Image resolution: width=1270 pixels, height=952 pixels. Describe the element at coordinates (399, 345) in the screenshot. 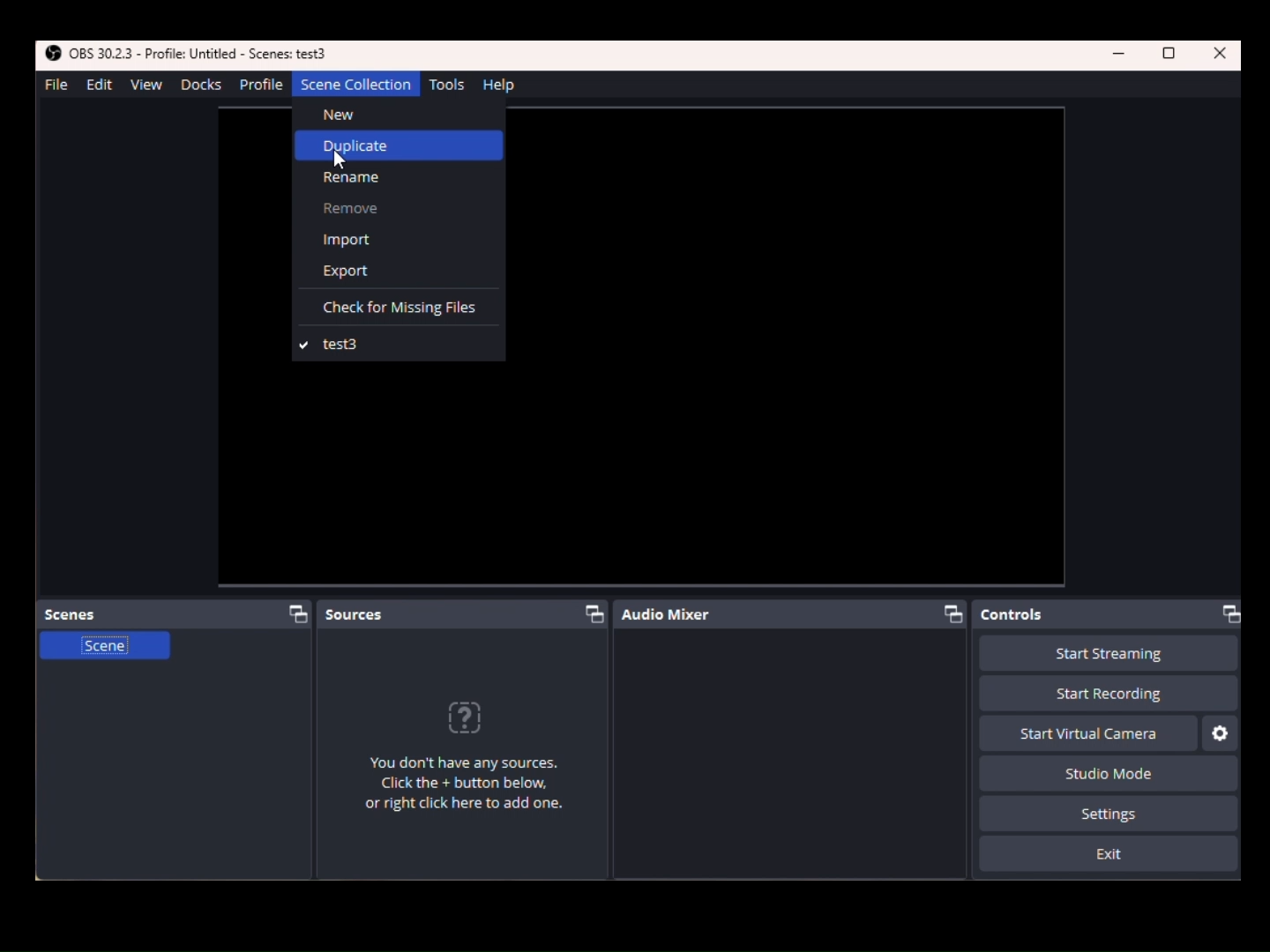

I see `test3` at that location.